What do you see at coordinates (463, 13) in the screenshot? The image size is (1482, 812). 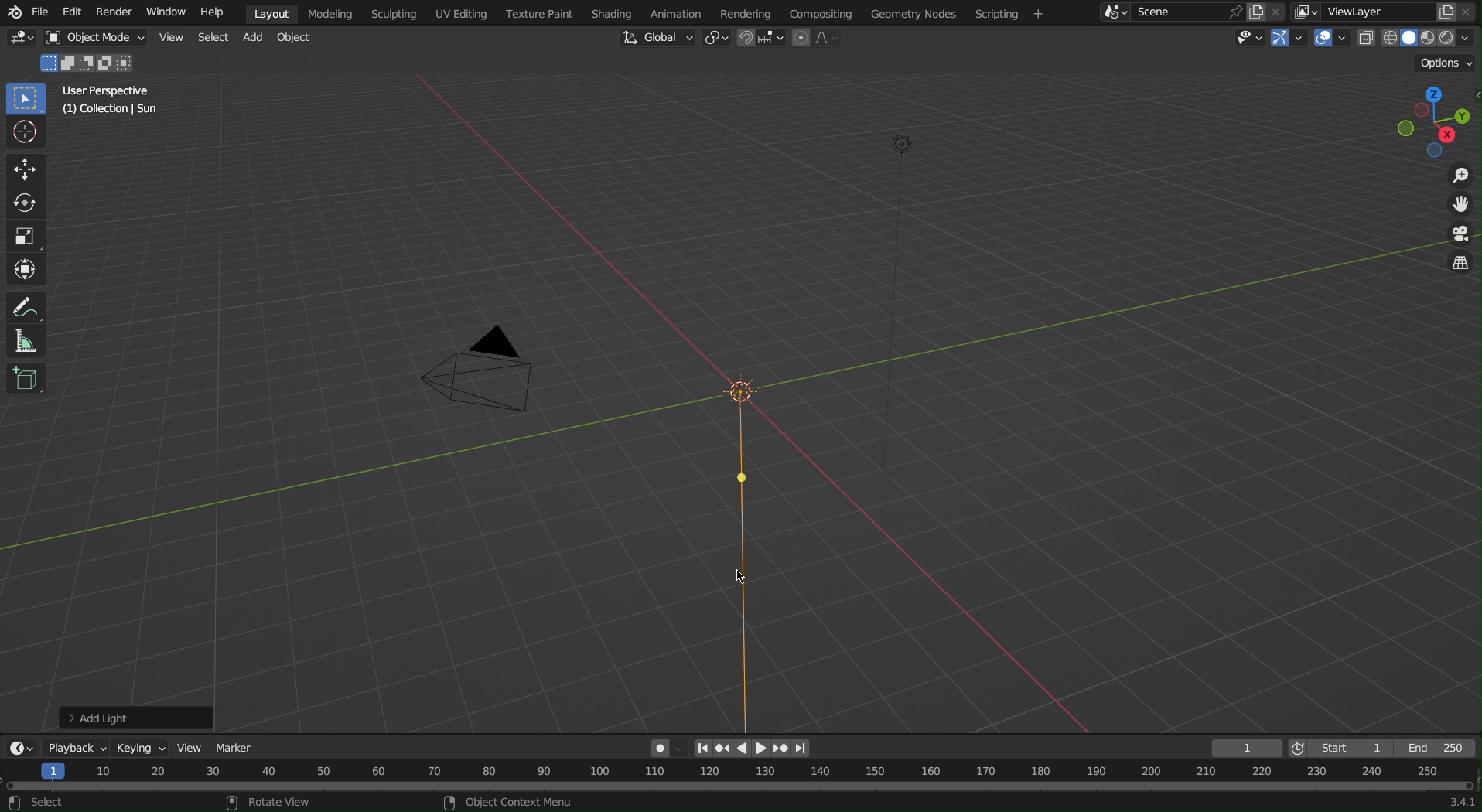 I see `UV Editing` at bounding box center [463, 13].